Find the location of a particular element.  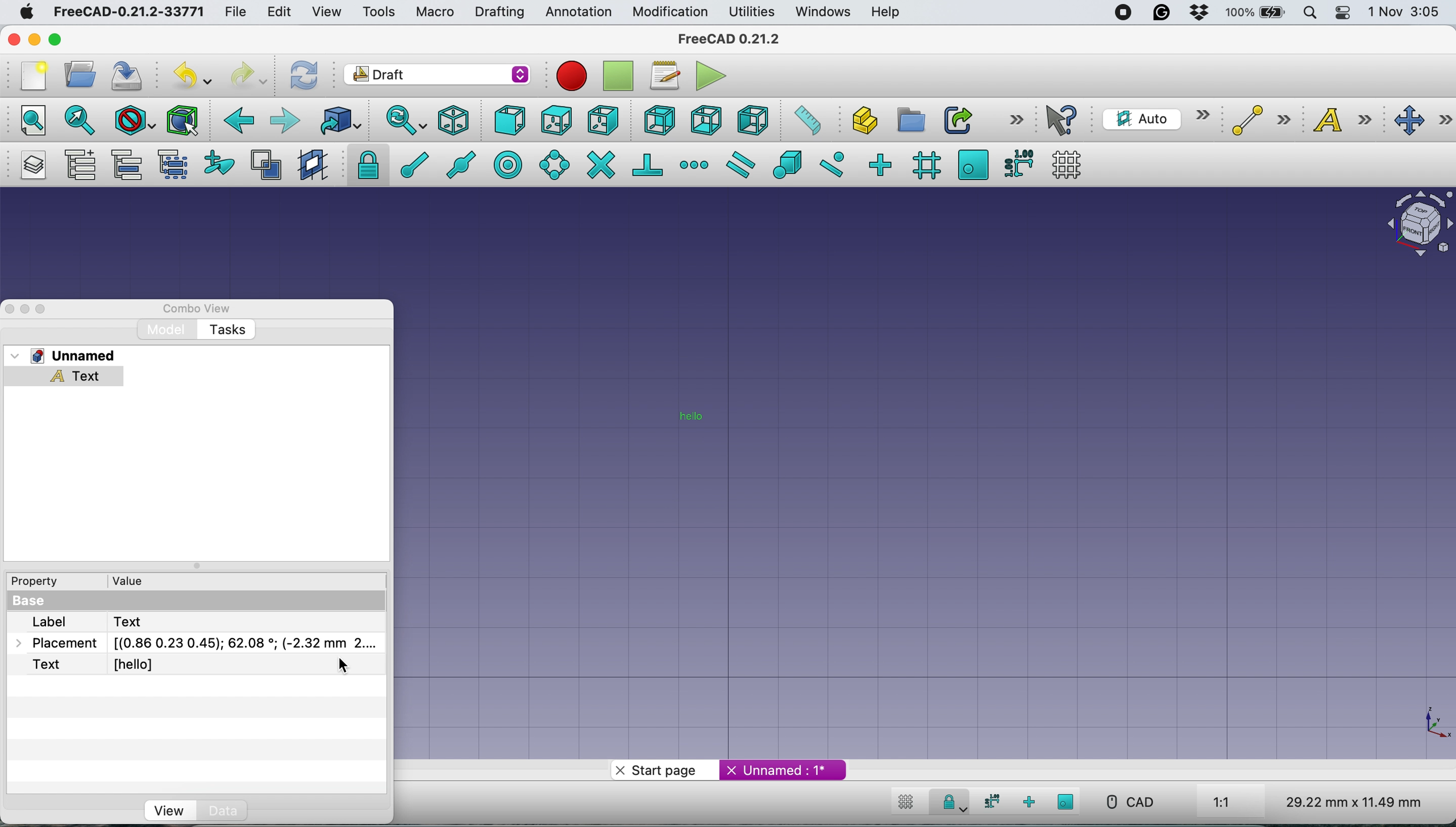

edit is located at coordinates (280, 11).